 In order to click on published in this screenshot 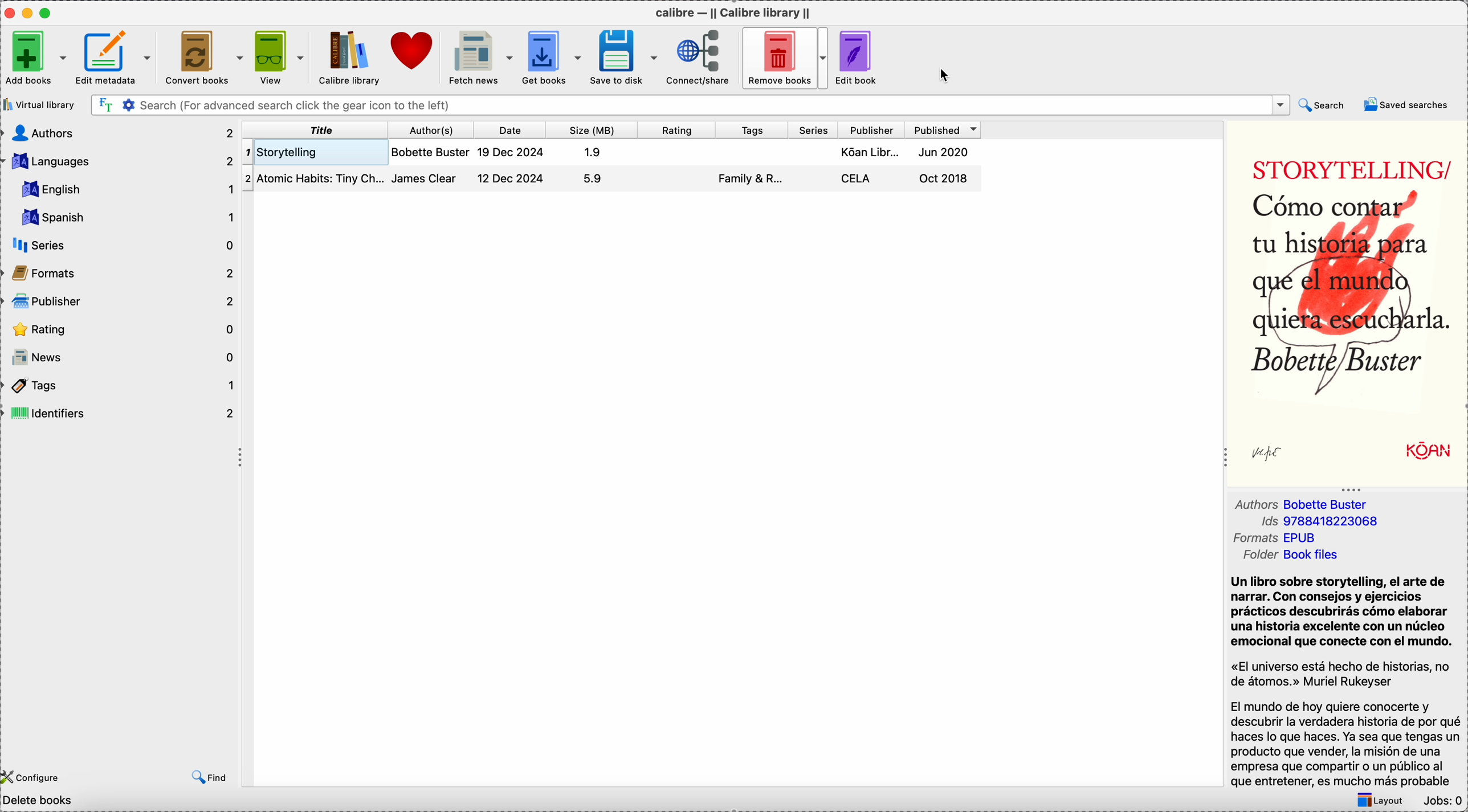, I will do `click(943, 130)`.